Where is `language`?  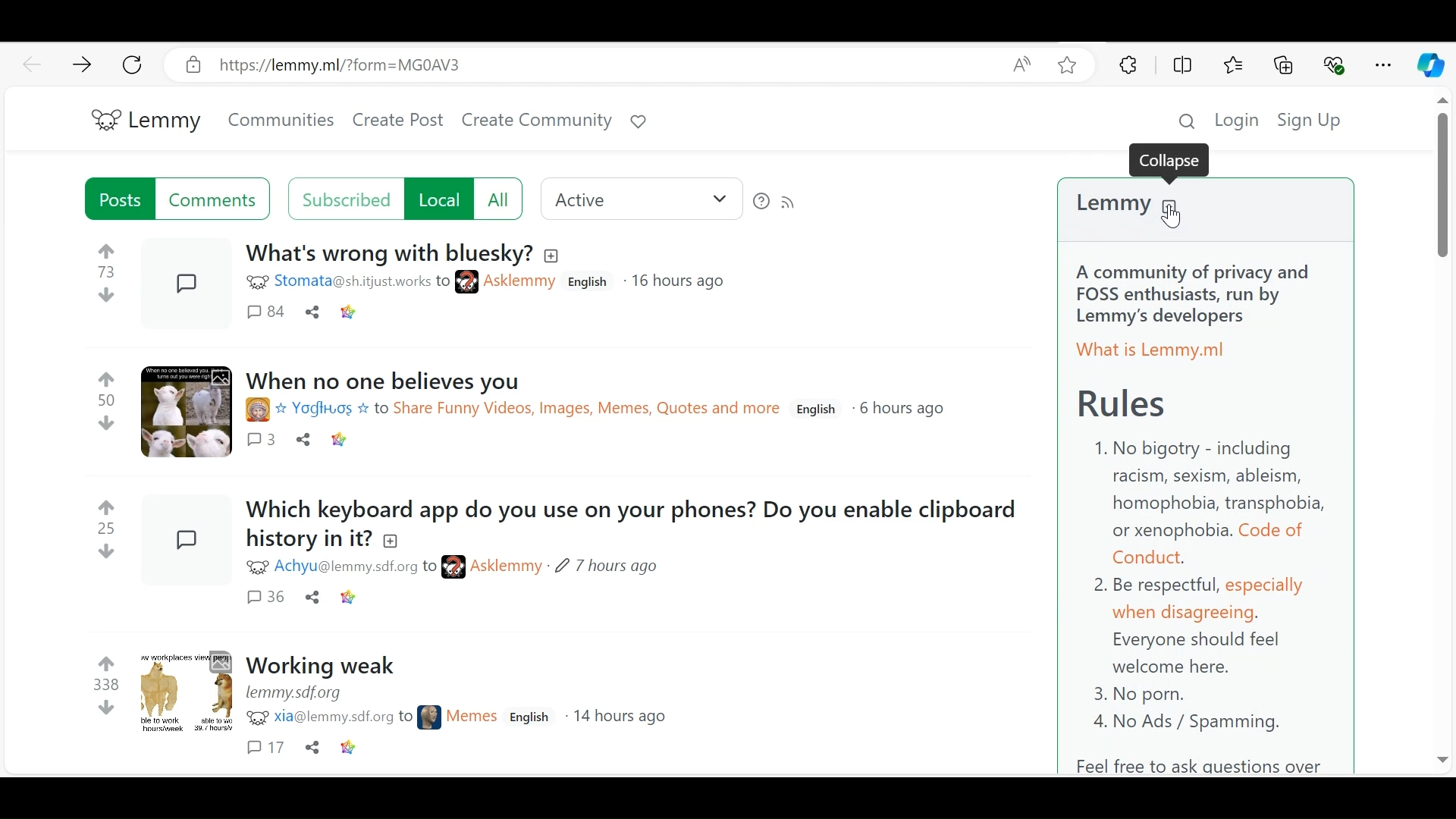 language is located at coordinates (820, 409).